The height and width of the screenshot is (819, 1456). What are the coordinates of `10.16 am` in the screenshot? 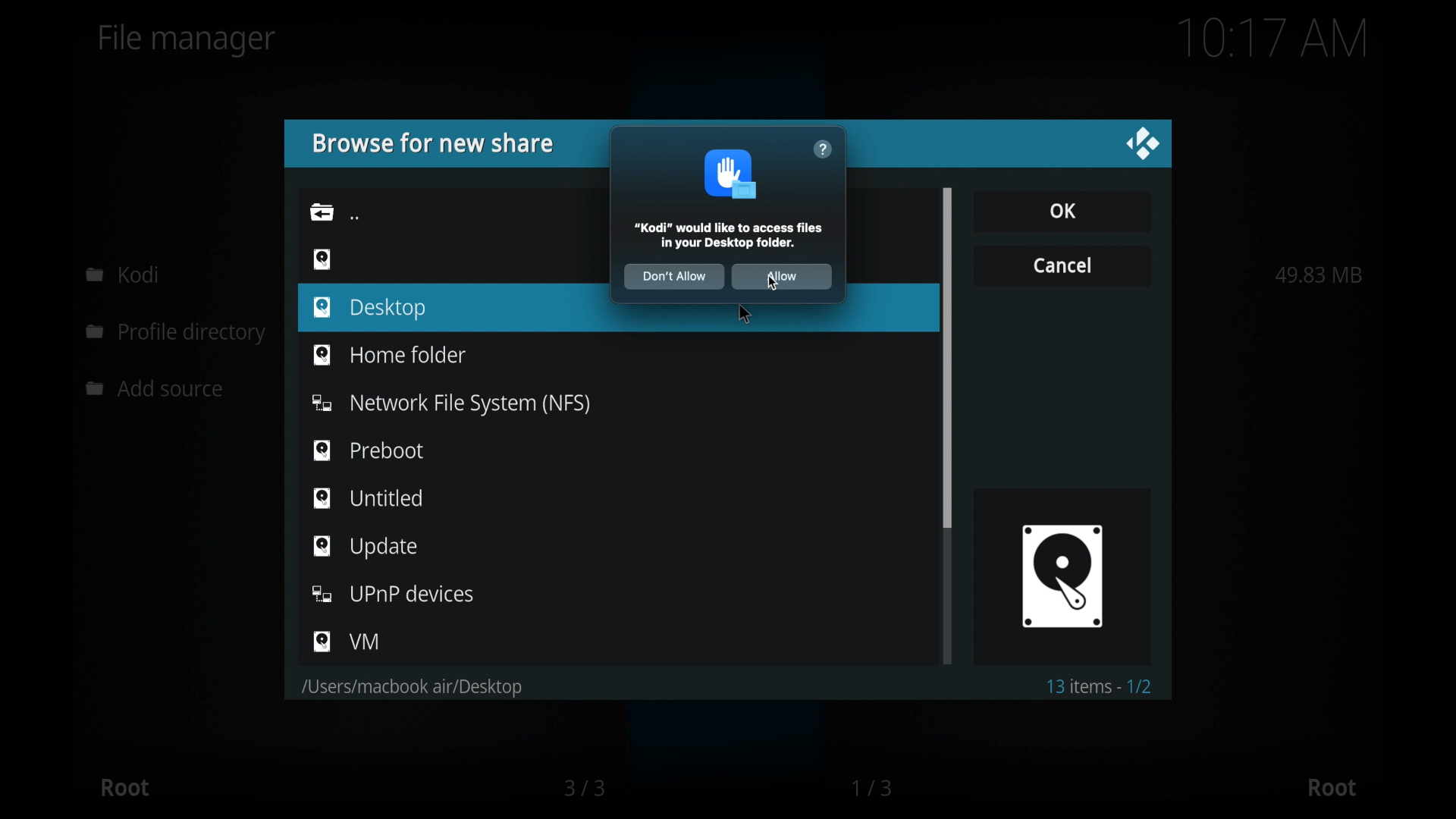 It's located at (1273, 38).